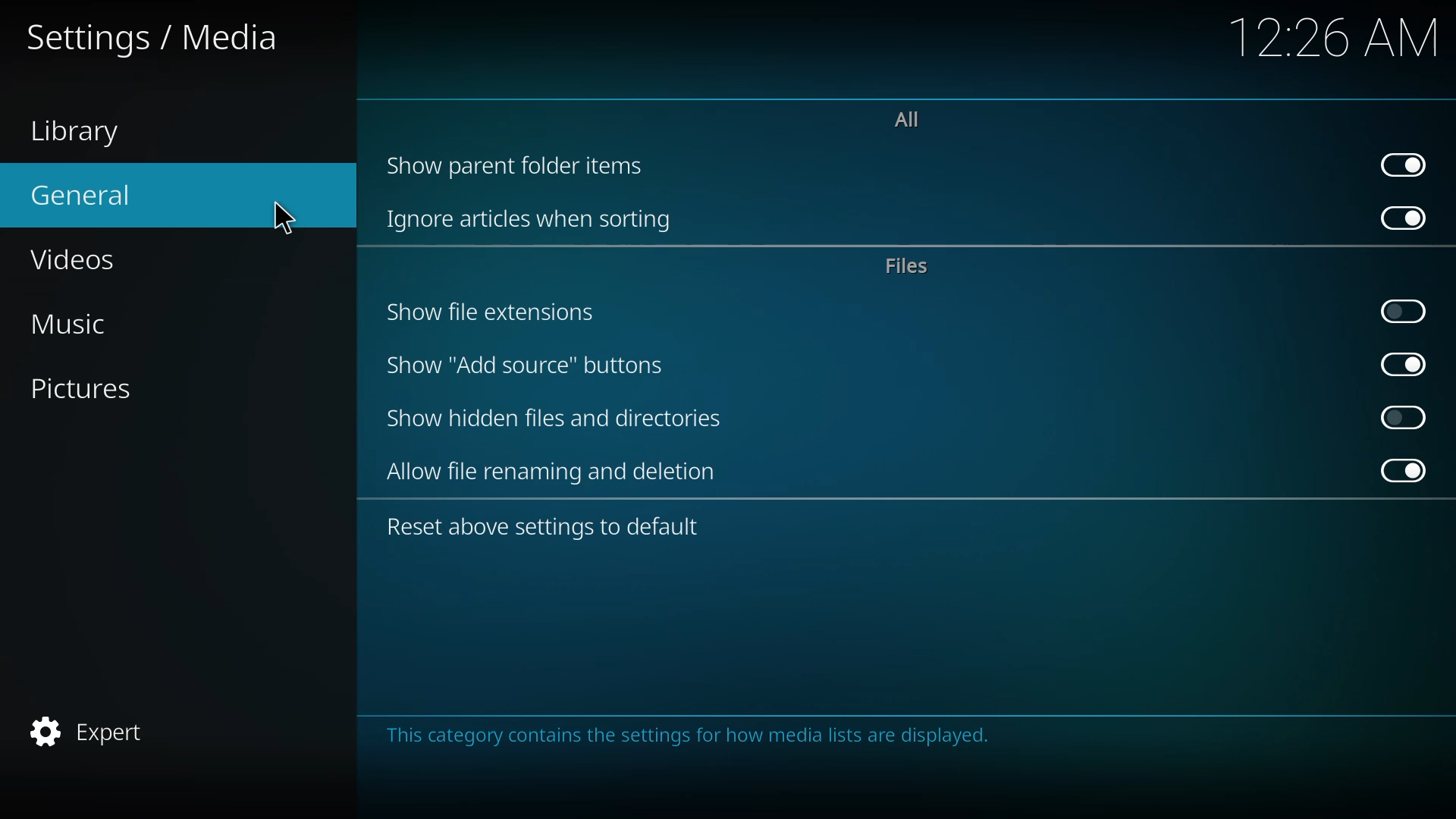  Describe the element at coordinates (555, 472) in the screenshot. I see `allow file renaming and deletion` at that location.